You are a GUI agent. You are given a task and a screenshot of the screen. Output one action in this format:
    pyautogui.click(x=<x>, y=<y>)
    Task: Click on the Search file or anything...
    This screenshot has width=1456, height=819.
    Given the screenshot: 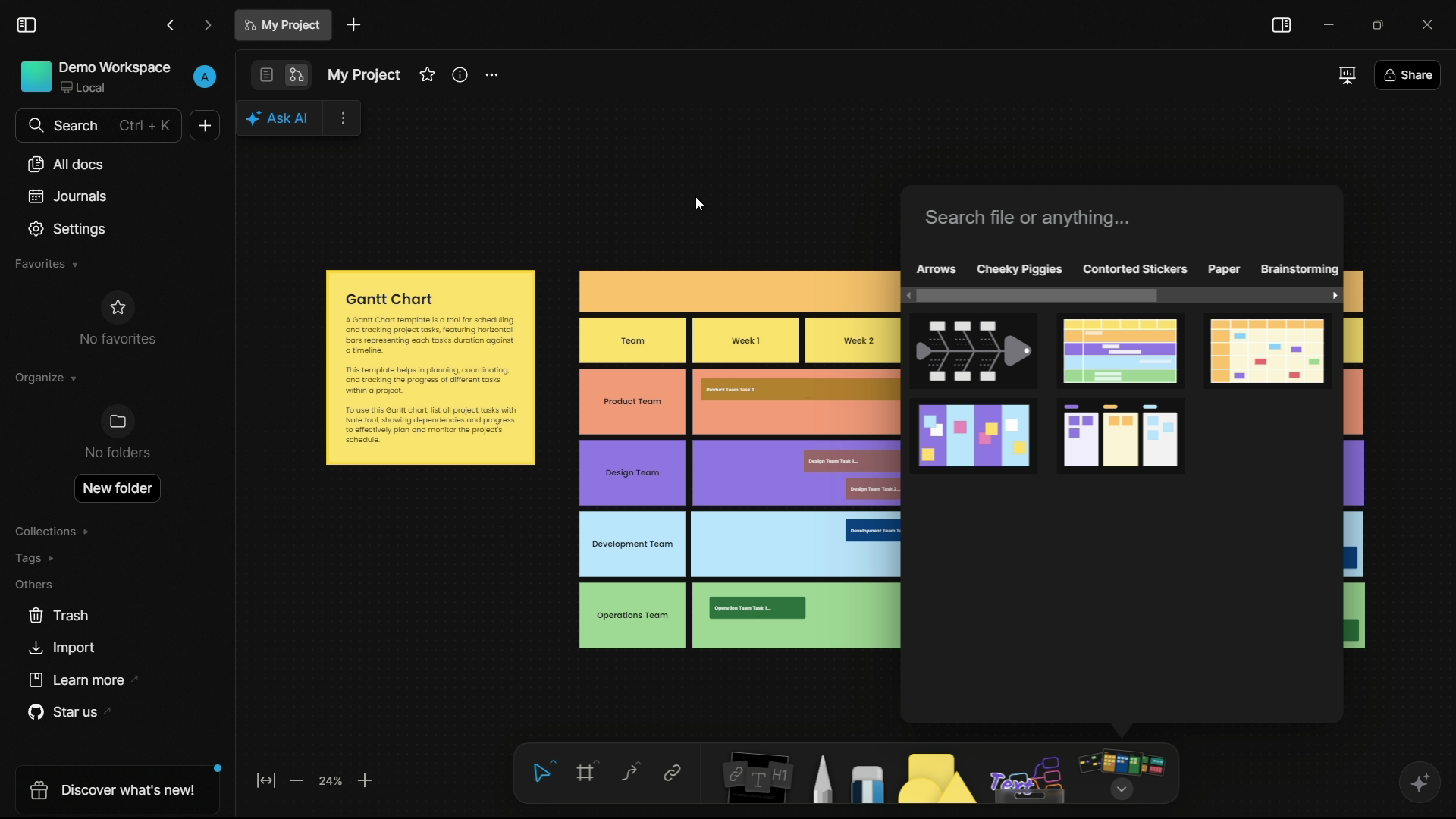 What is the action you would take?
    pyautogui.click(x=1028, y=218)
    